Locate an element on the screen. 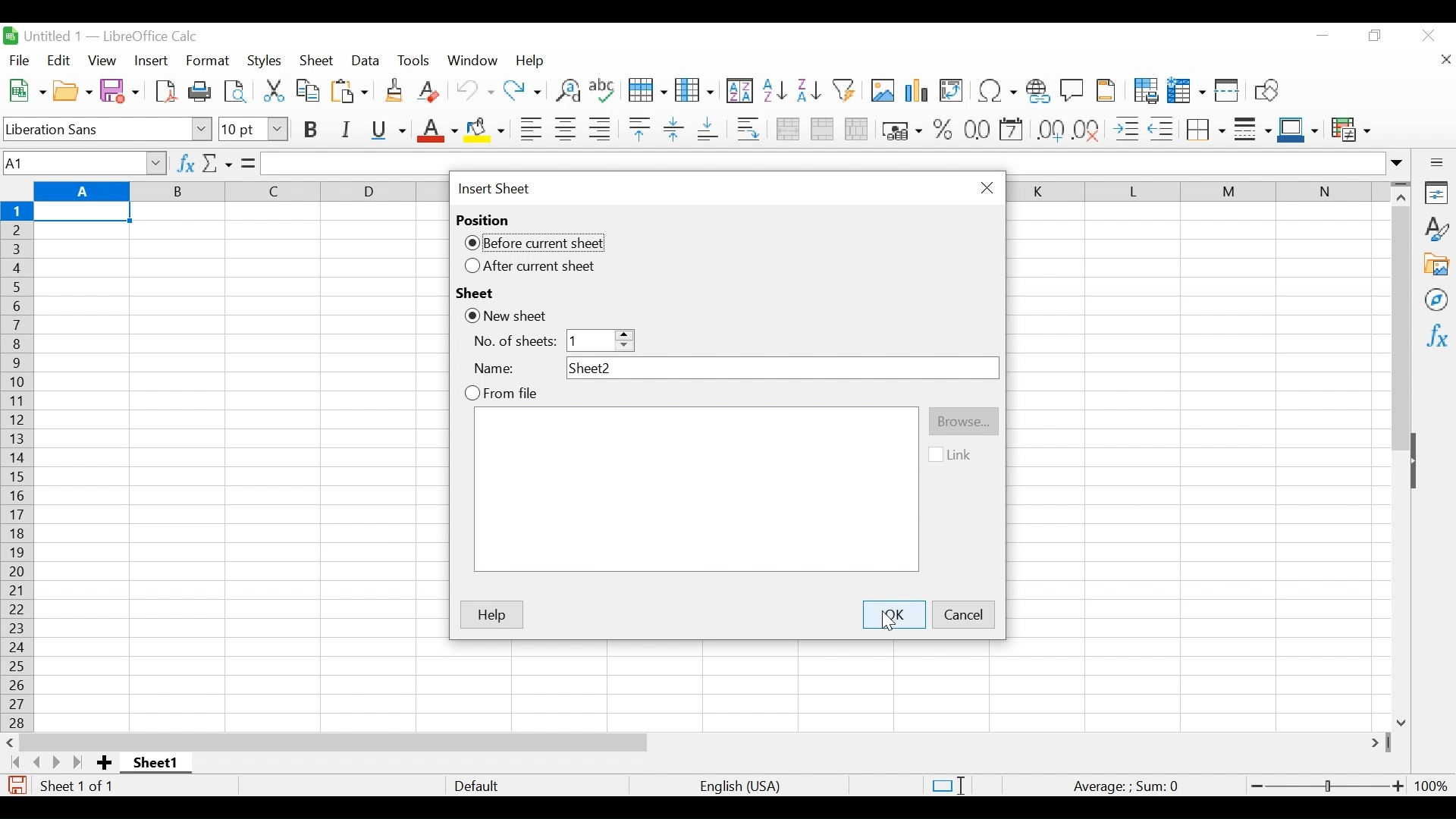 The height and width of the screenshot is (819, 1456). Sidebar Settings is located at coordinates (1436, 162).